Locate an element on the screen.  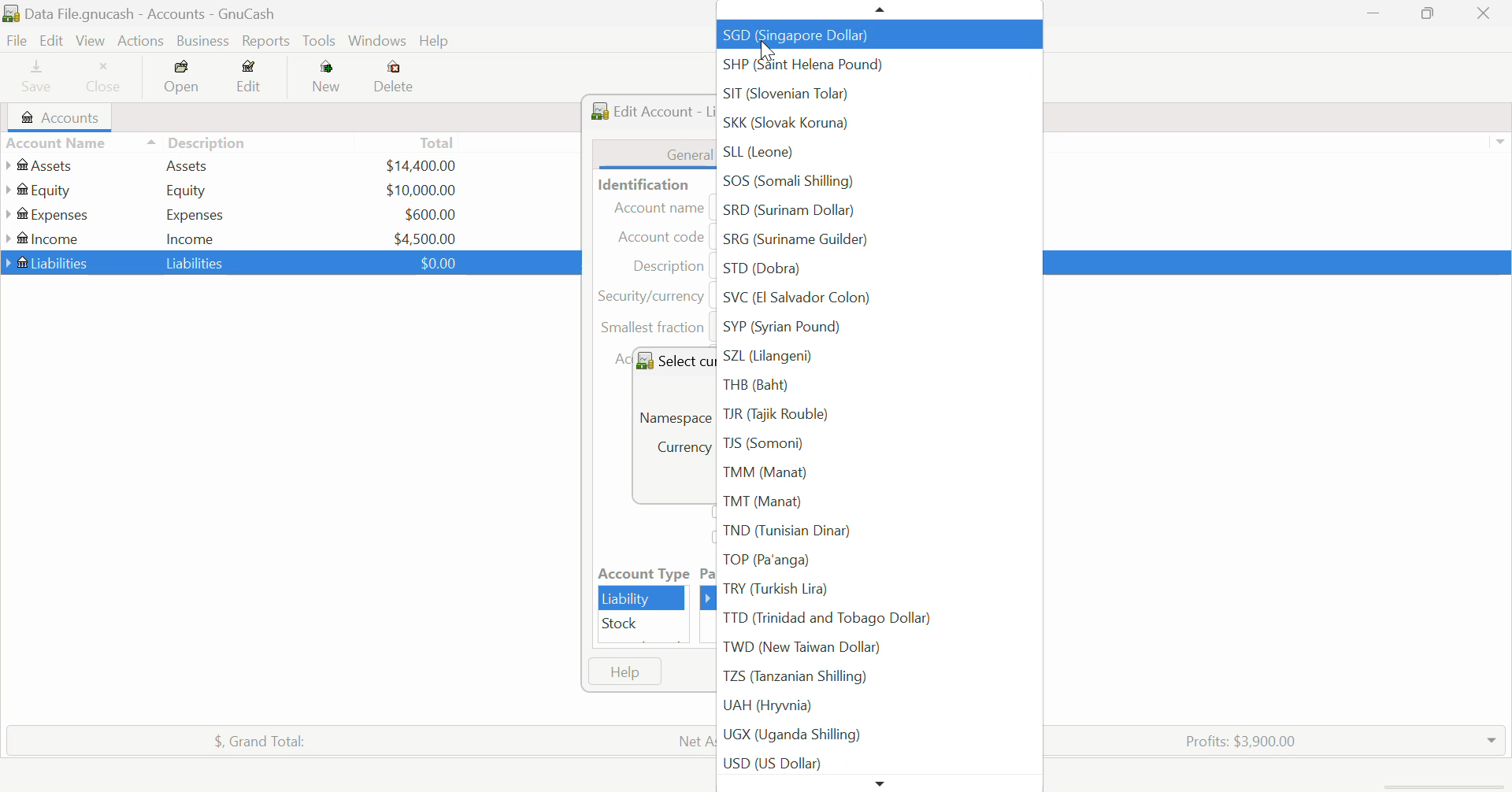
USd is located at coordinates (420, 164).